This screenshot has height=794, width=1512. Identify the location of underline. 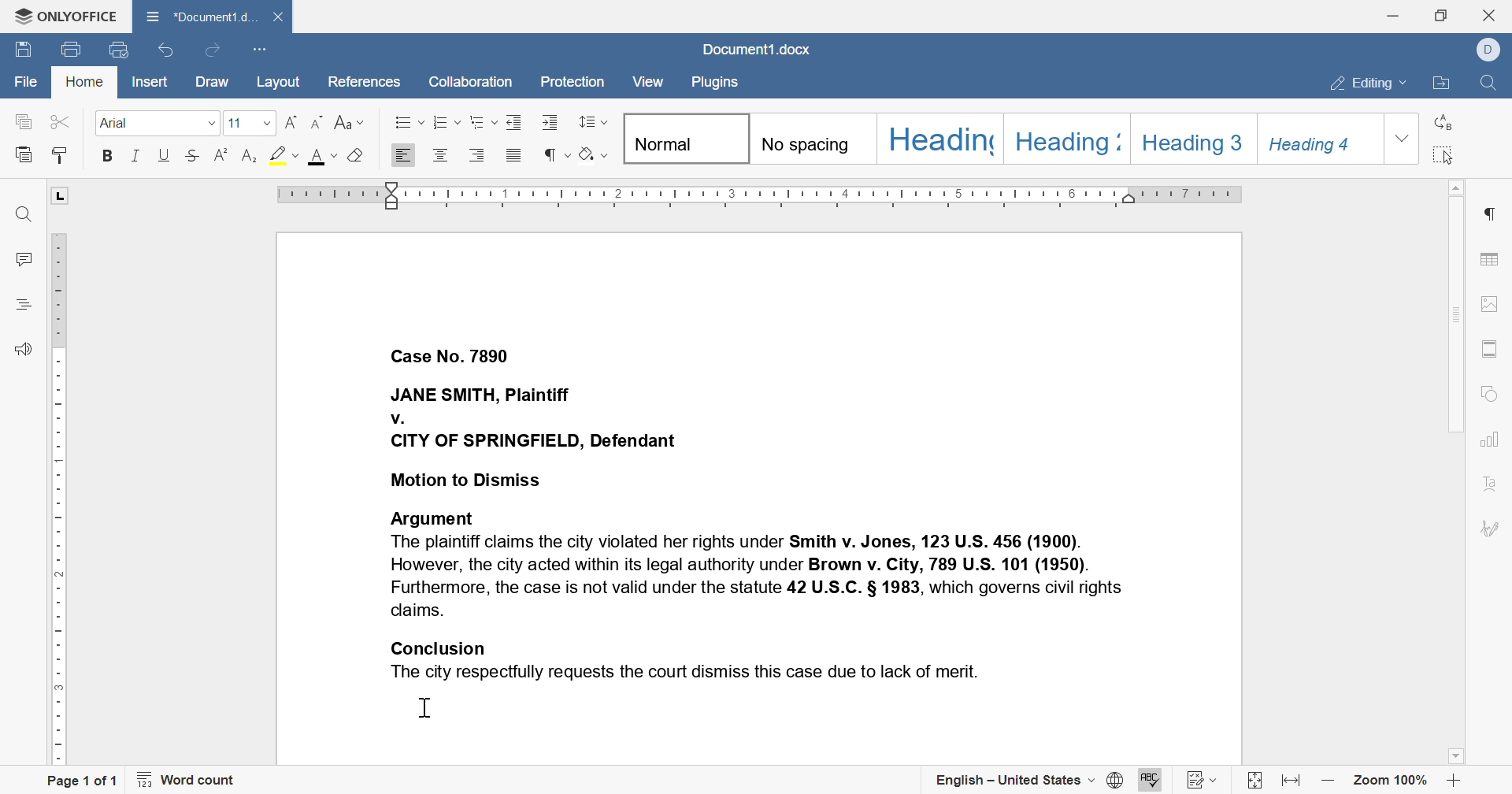
(165, 155).